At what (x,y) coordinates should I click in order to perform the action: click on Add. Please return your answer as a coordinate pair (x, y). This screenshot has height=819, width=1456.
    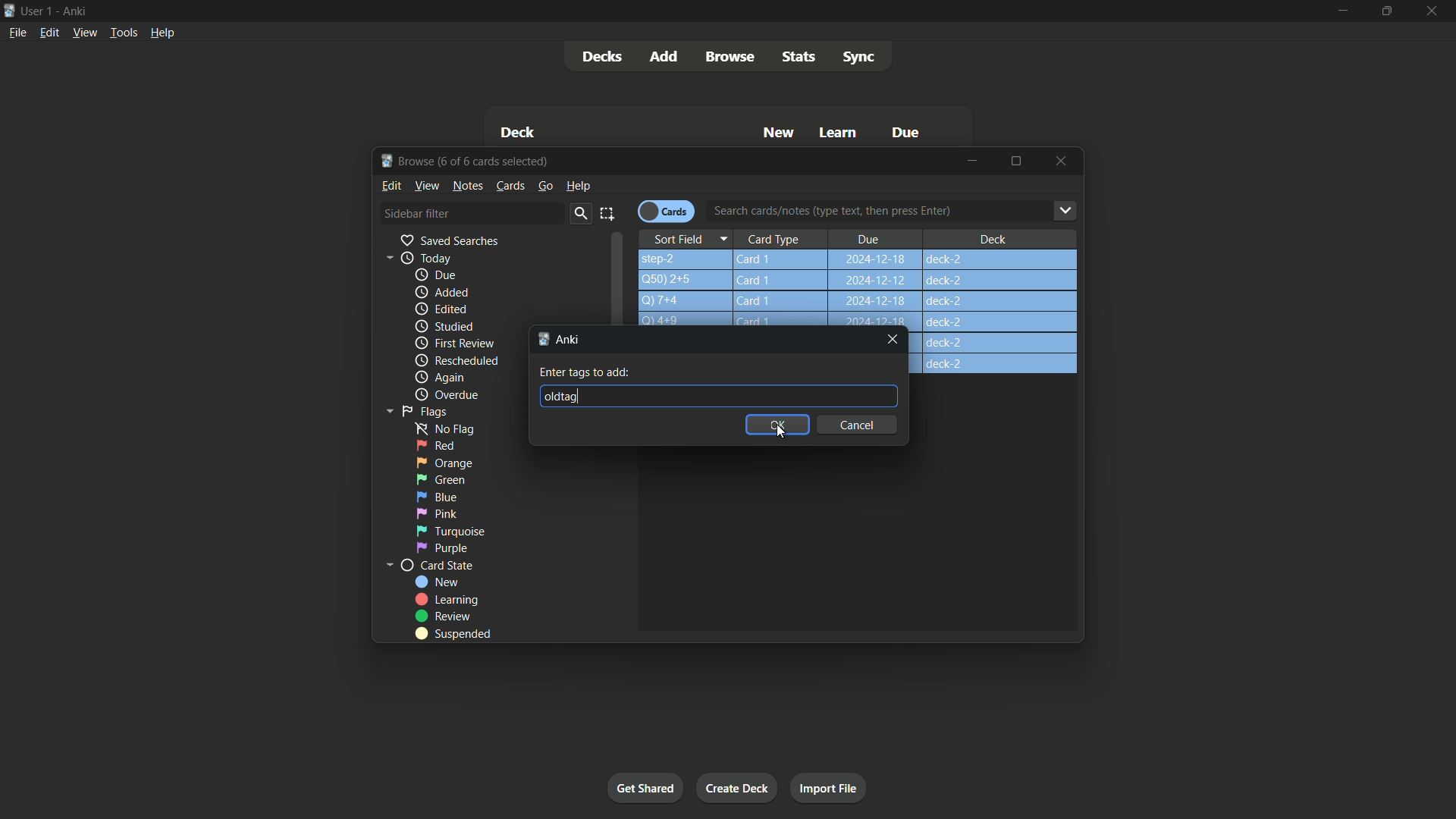
    Looking at the image, I should click on (666, 57).